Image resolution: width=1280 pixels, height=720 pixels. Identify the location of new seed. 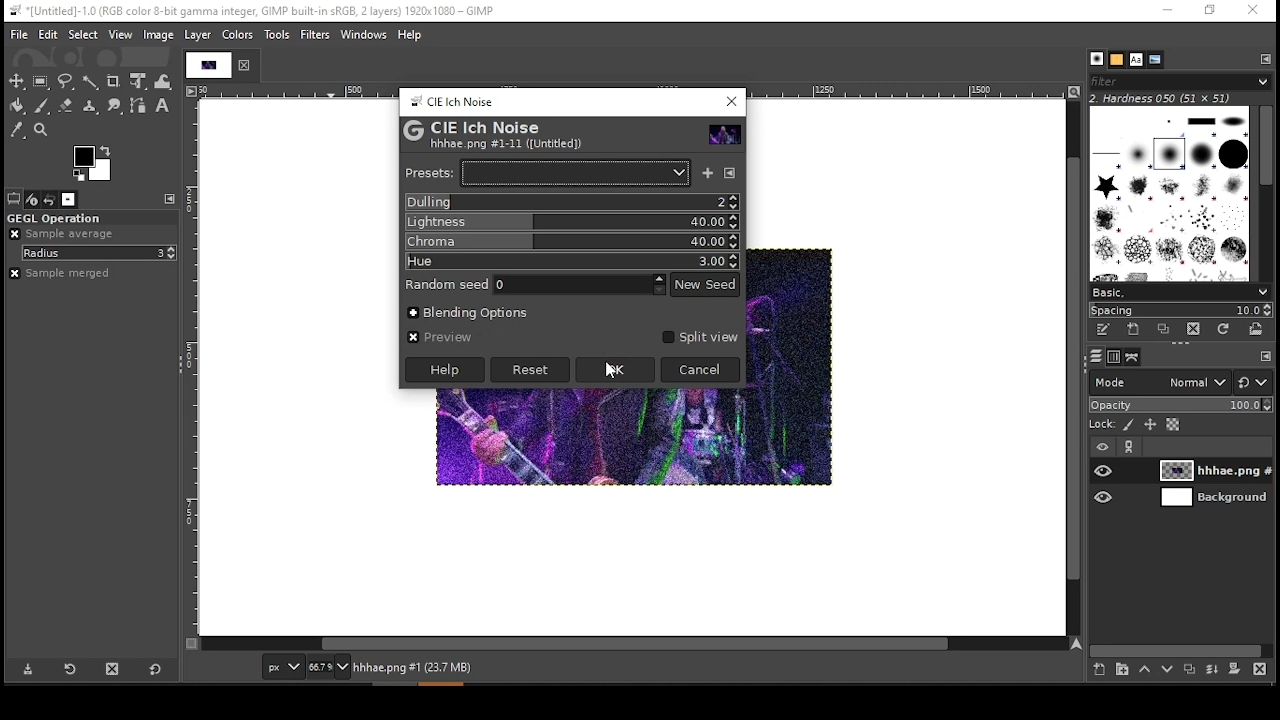
(708, 286).